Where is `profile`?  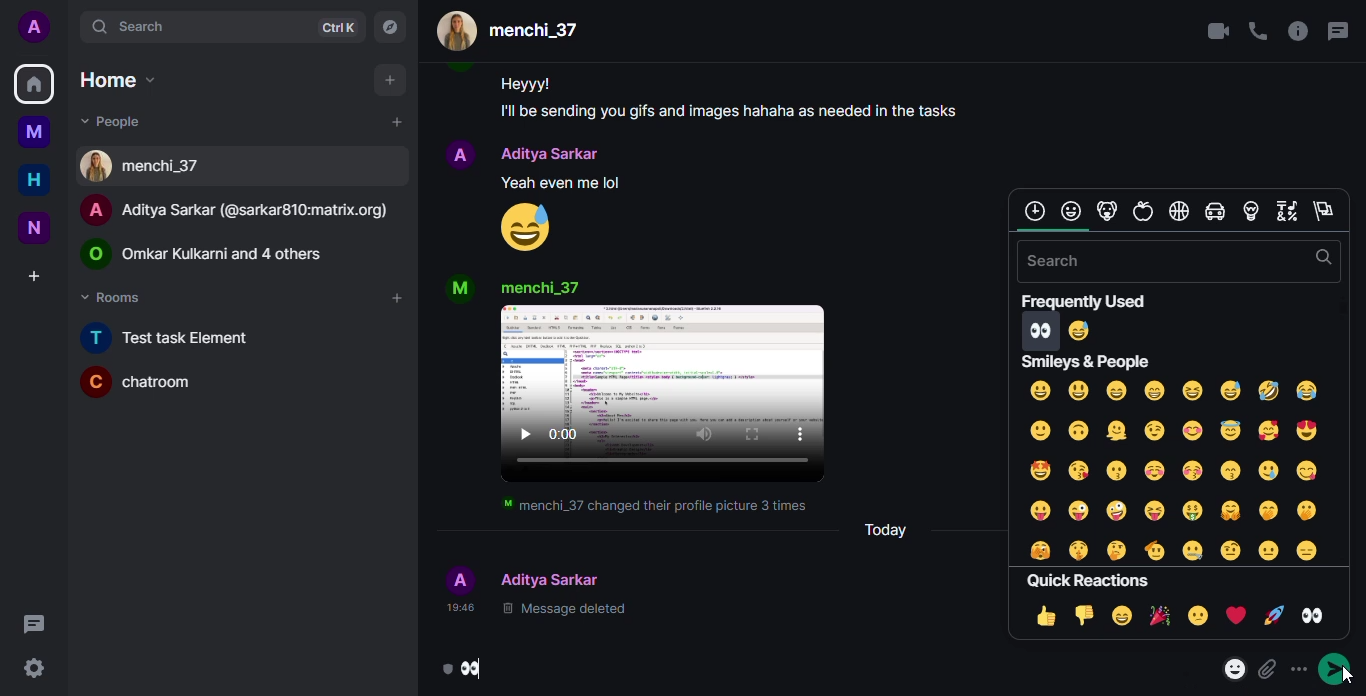 profile is located at coordinates (460, 151).